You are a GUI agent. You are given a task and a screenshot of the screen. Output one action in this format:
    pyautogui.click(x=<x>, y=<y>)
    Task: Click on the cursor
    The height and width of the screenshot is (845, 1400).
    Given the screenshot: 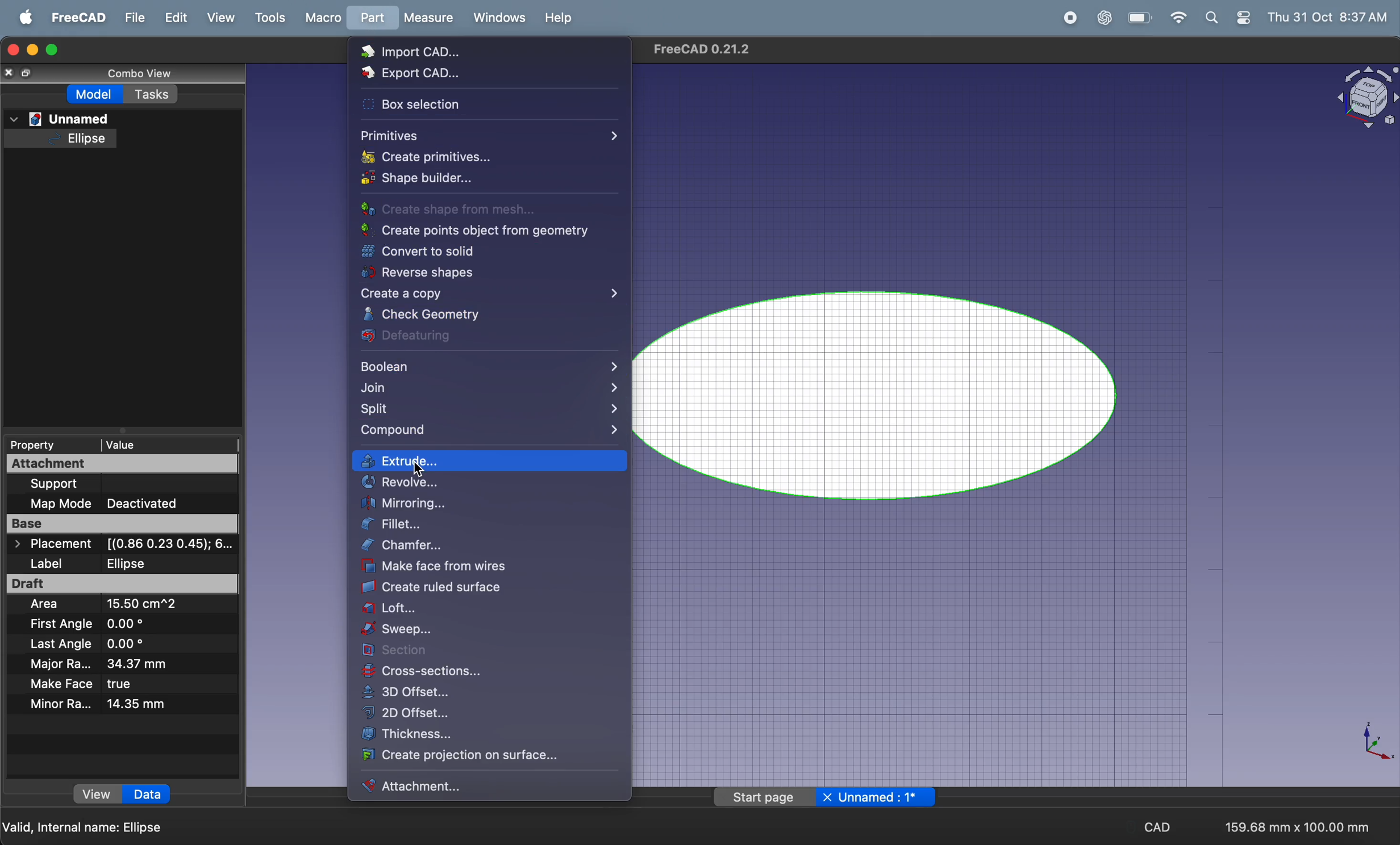 What is the action you would take?
    pyautogui.click(x=421, y=471)
    